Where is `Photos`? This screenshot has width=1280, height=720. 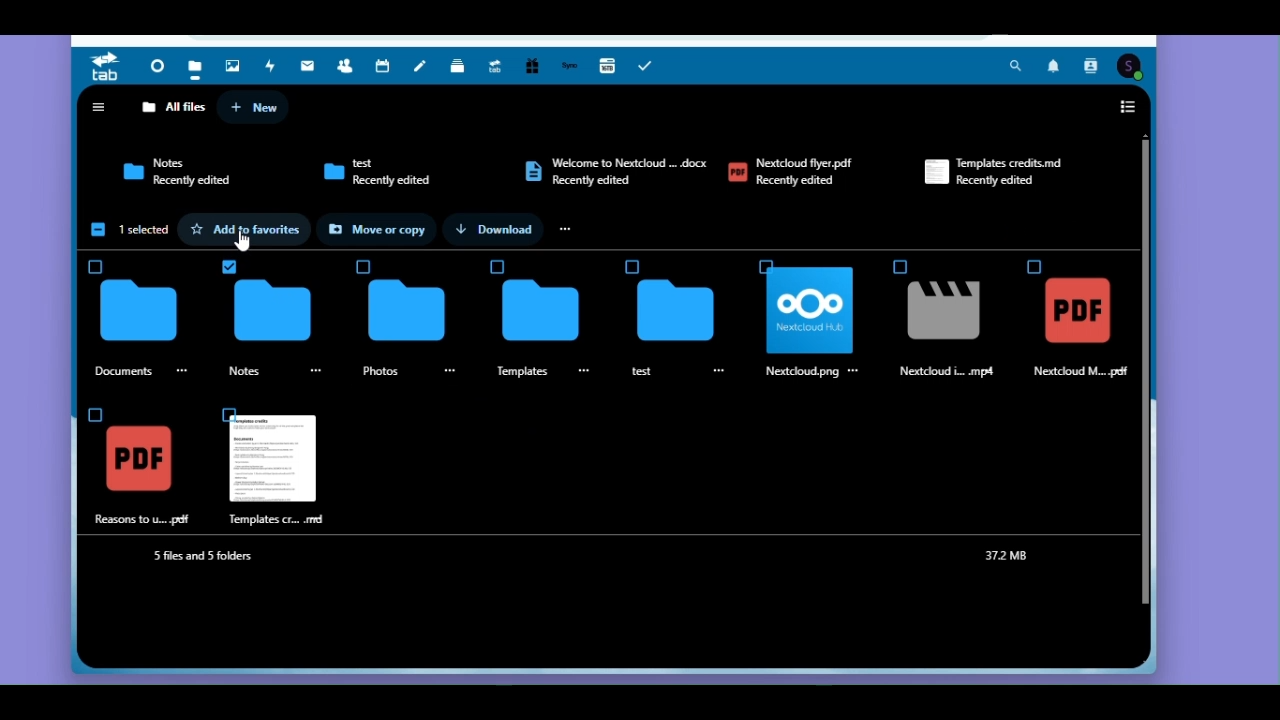
Photos is located at coordinates (233, 64).